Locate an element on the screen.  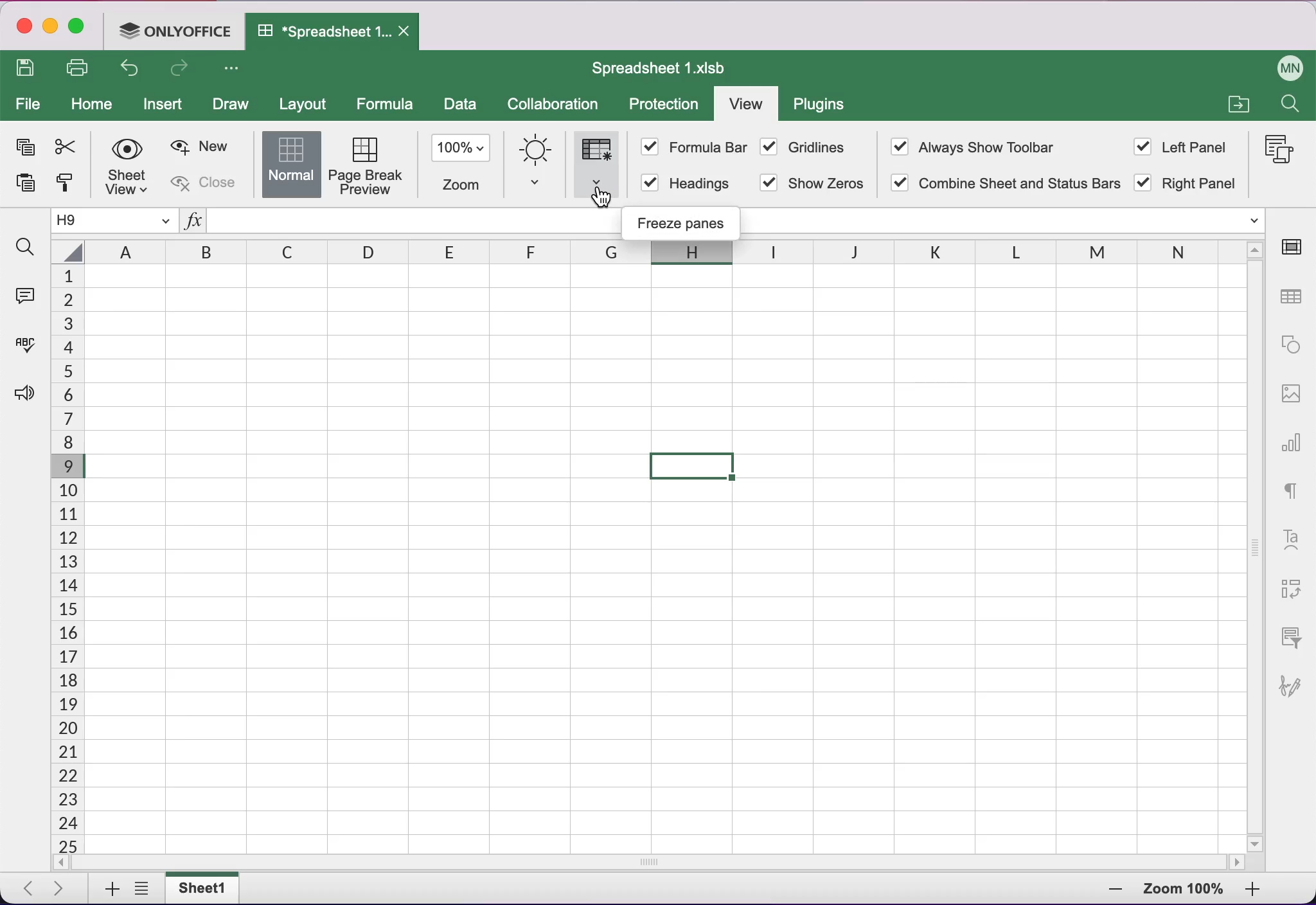
add tab is located at coordinates (107, 890).